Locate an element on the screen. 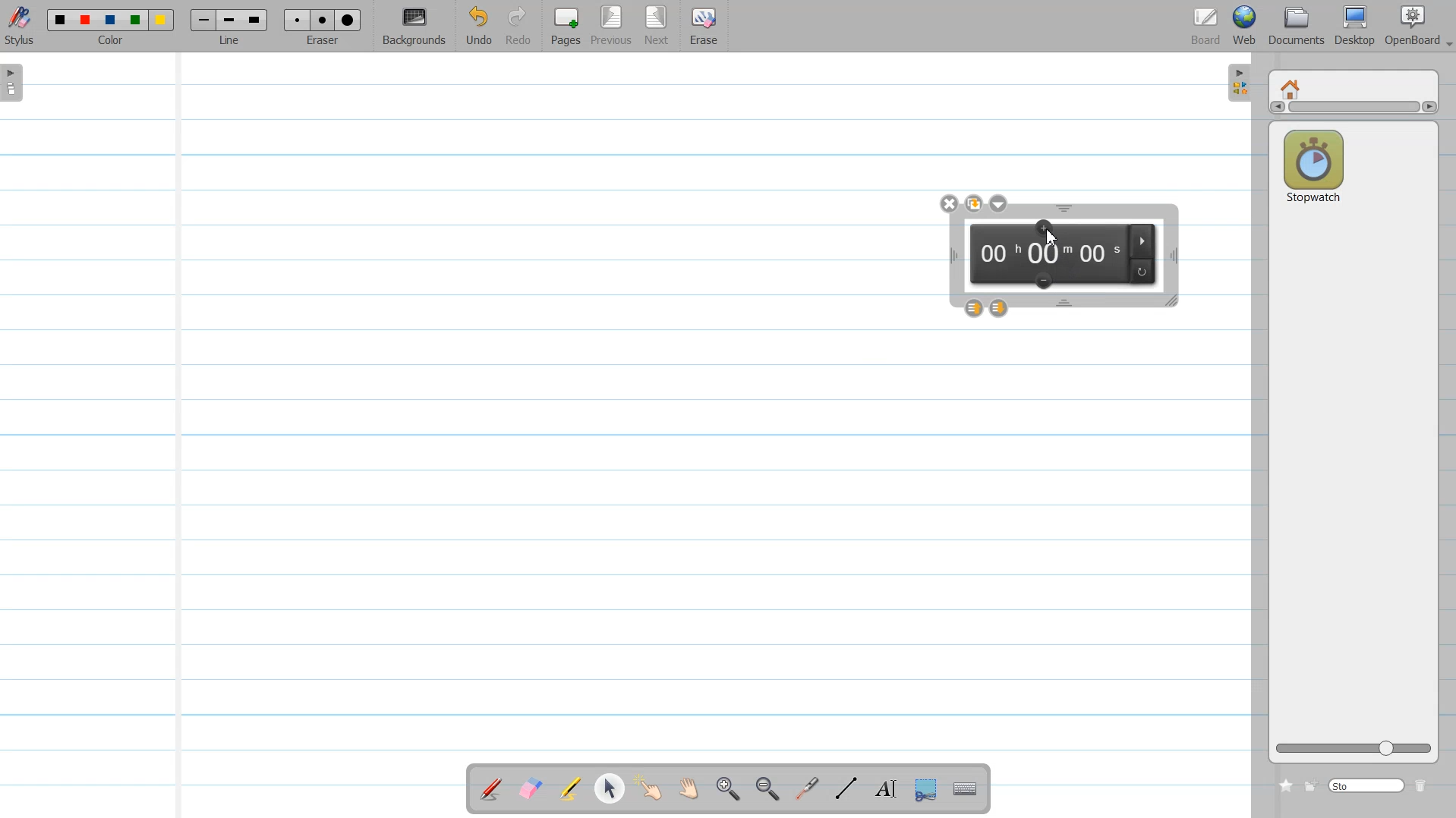 This screenshot has height=818, width=1456. Write Text is located at coordinates (884, 789).